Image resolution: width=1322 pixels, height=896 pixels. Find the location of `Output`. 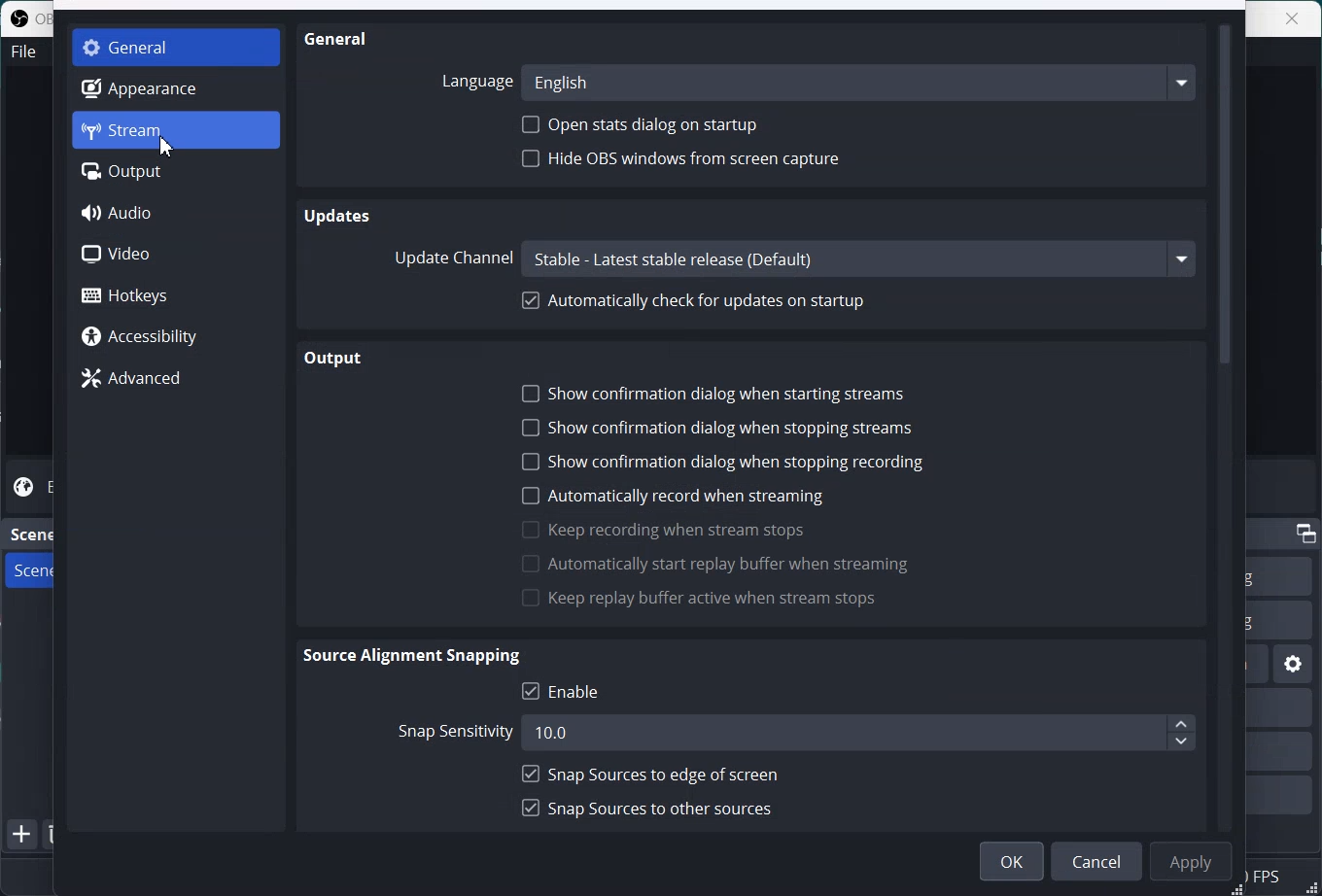

Output is located at coordinates (176, 172).